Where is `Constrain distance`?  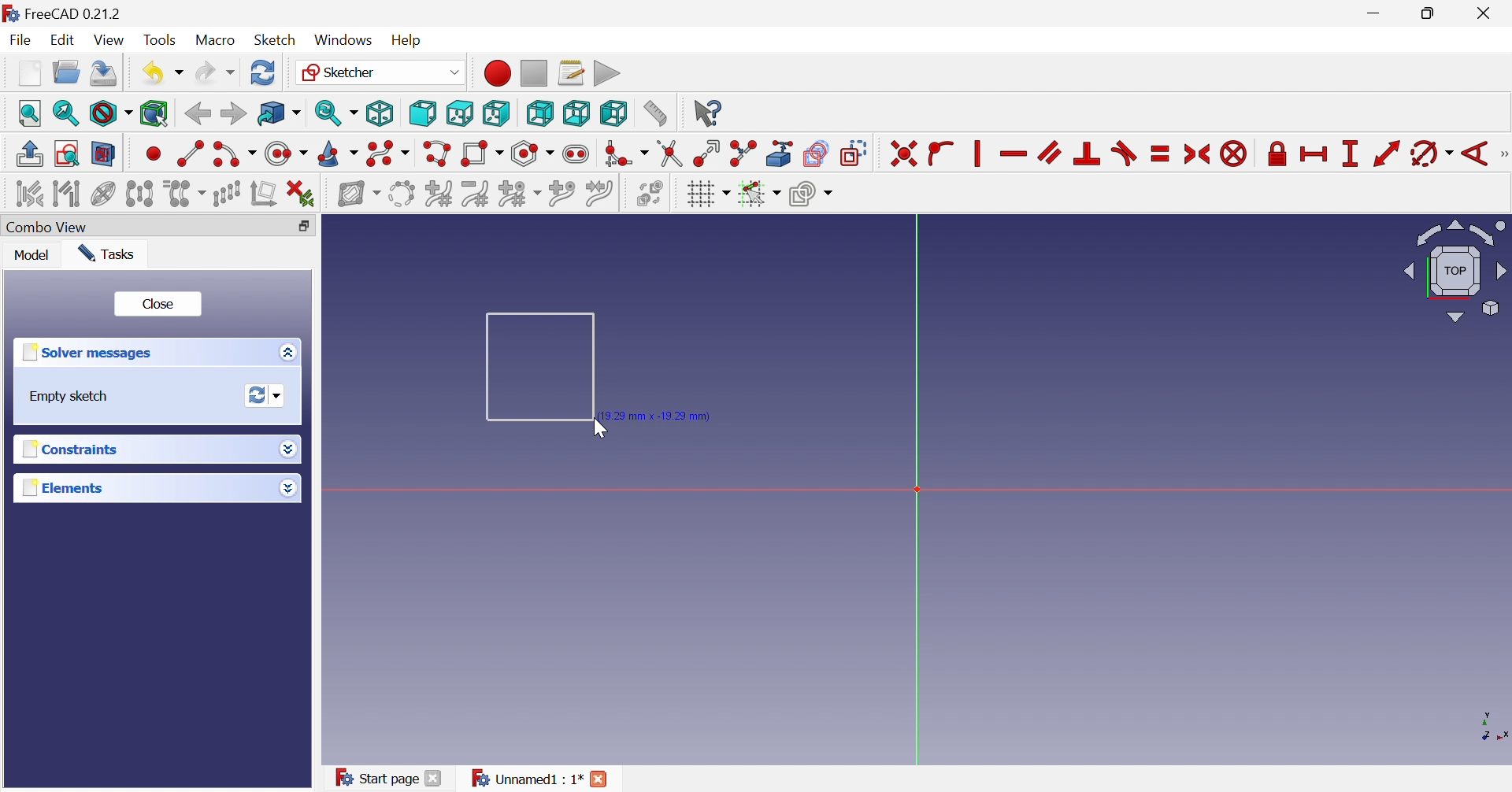
Constrain distance is located at coordinates (1385, 154).